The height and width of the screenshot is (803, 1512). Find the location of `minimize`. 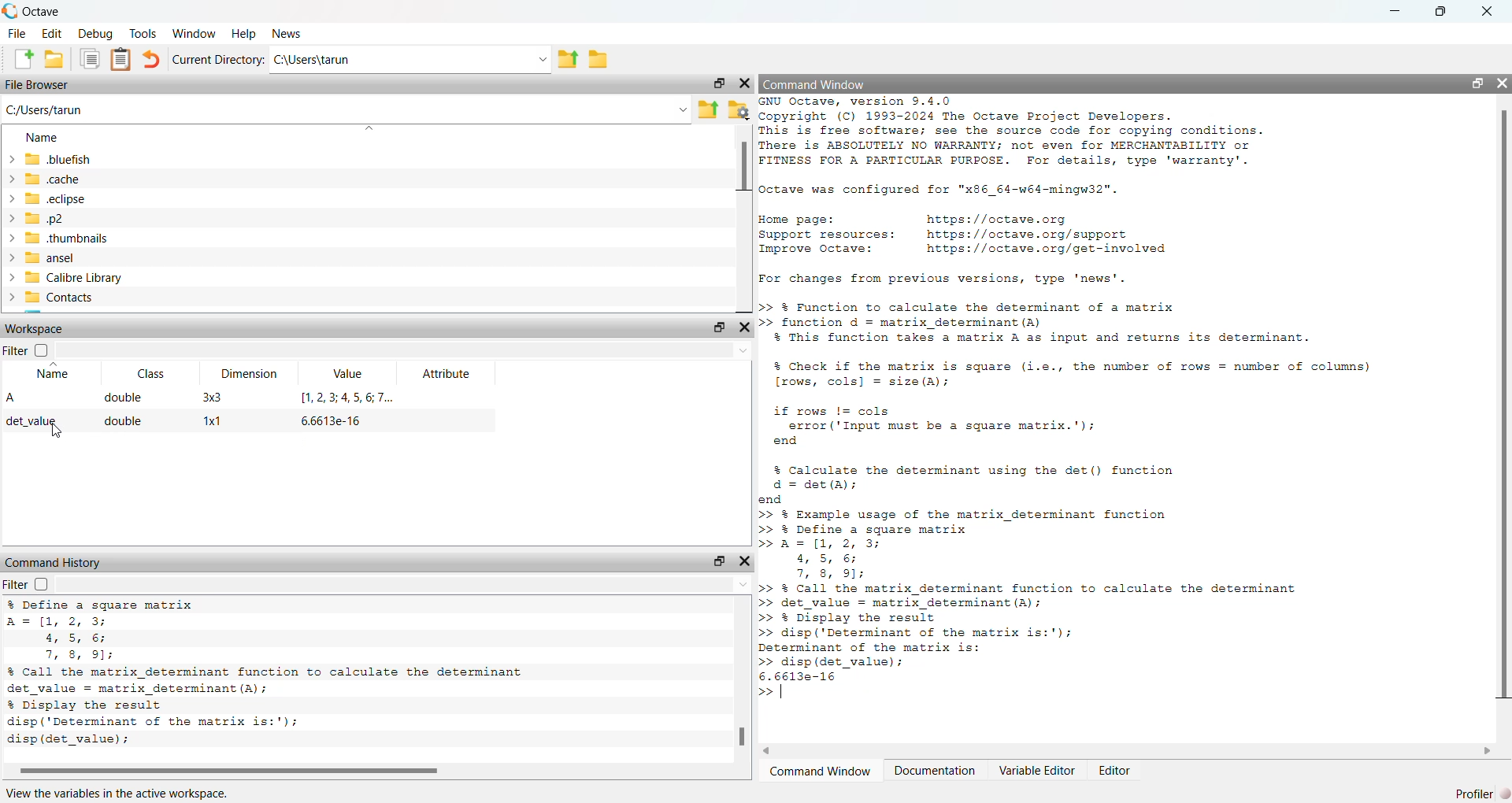

minimize is located at coordinates (1392, 13).